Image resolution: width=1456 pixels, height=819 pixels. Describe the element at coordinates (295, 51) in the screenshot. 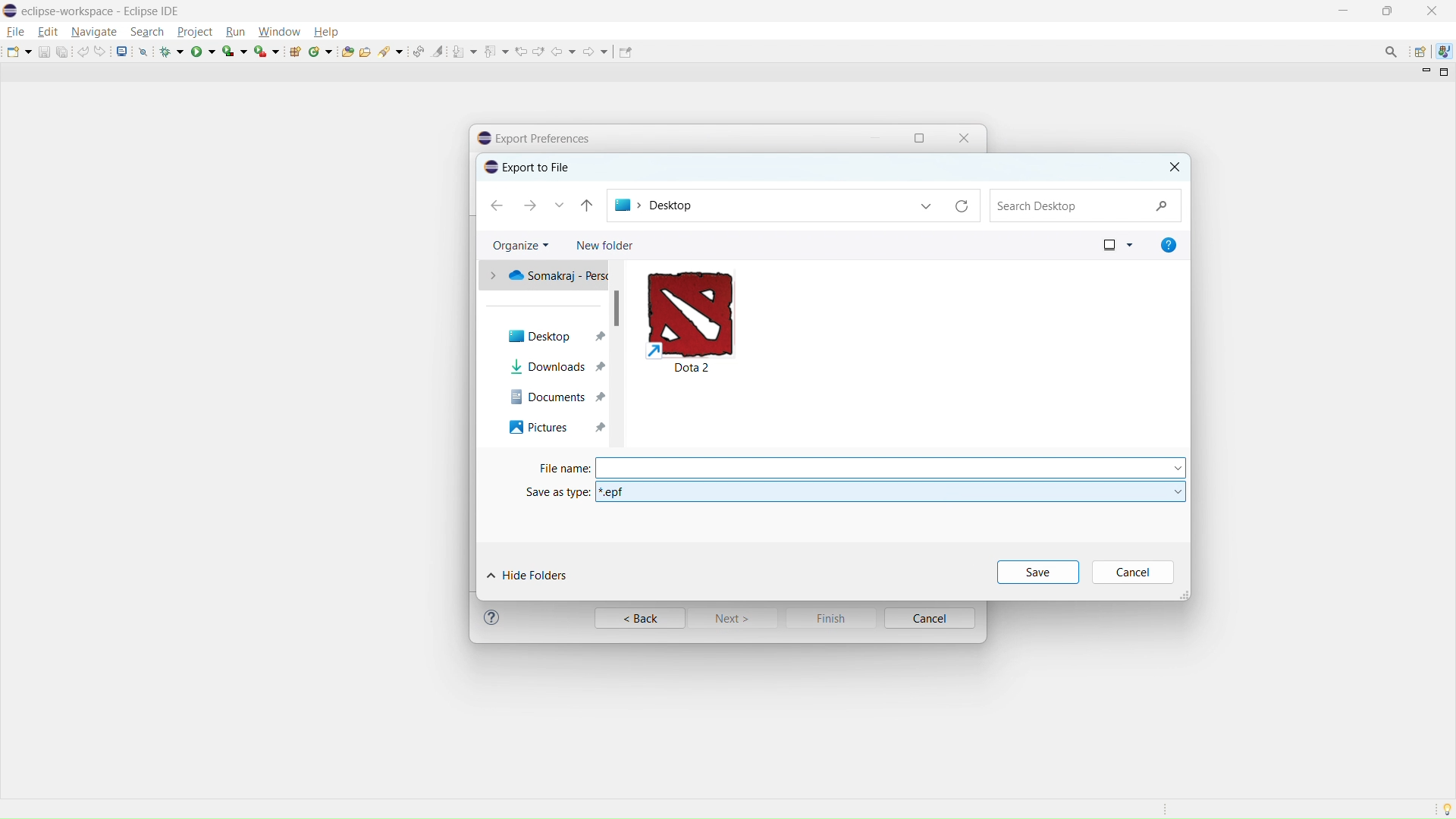

I see `new java package` at that location.